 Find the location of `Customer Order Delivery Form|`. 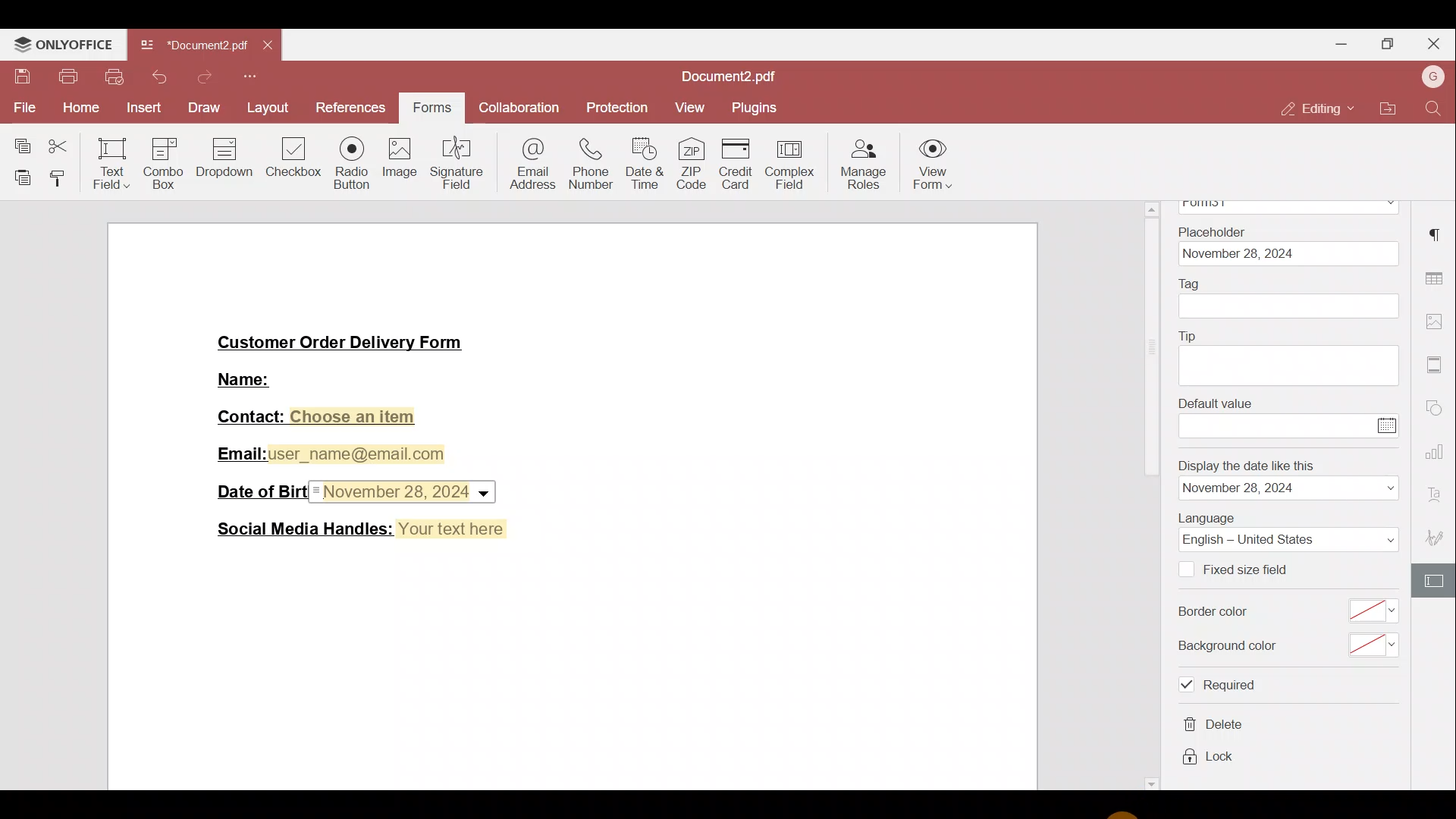

Customer Order Delivery Form| is located at coordinates (341, 345).